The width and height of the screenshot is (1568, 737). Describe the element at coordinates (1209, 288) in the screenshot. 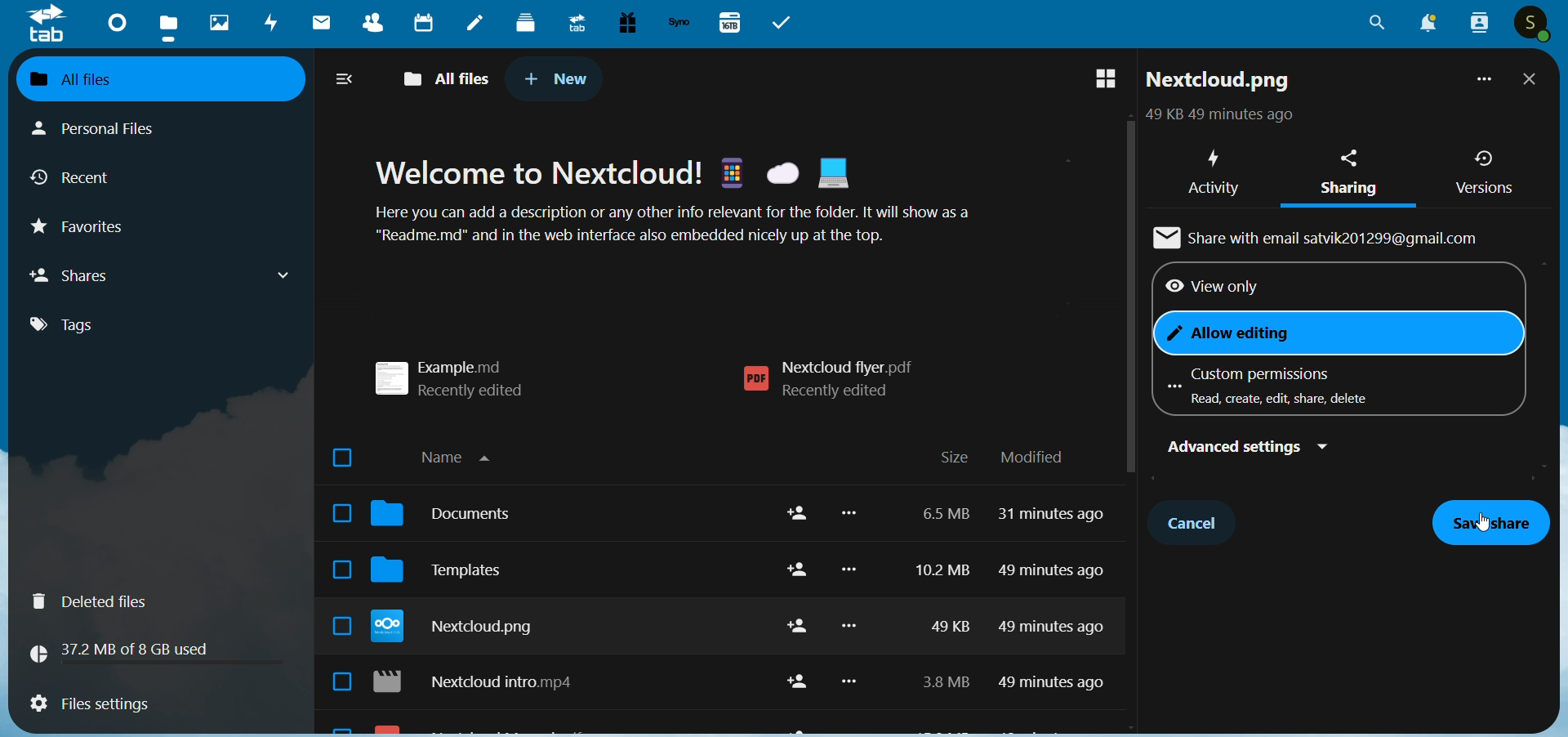

I see `view only` at that location.